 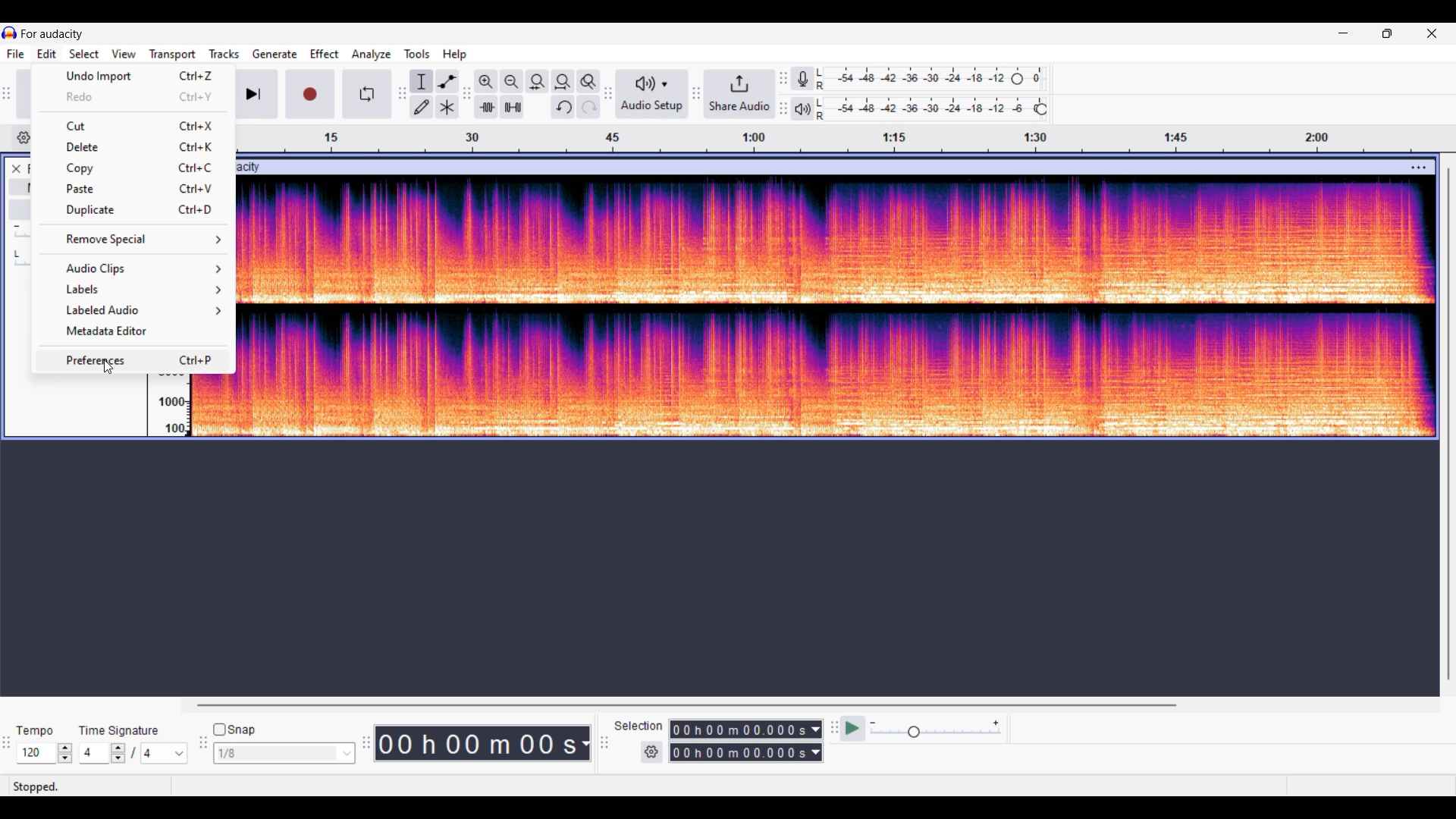 What do you see at coordinates (475, 743) in the screenshot?
I see `Current duration of track` at bounding box center [475, 743].